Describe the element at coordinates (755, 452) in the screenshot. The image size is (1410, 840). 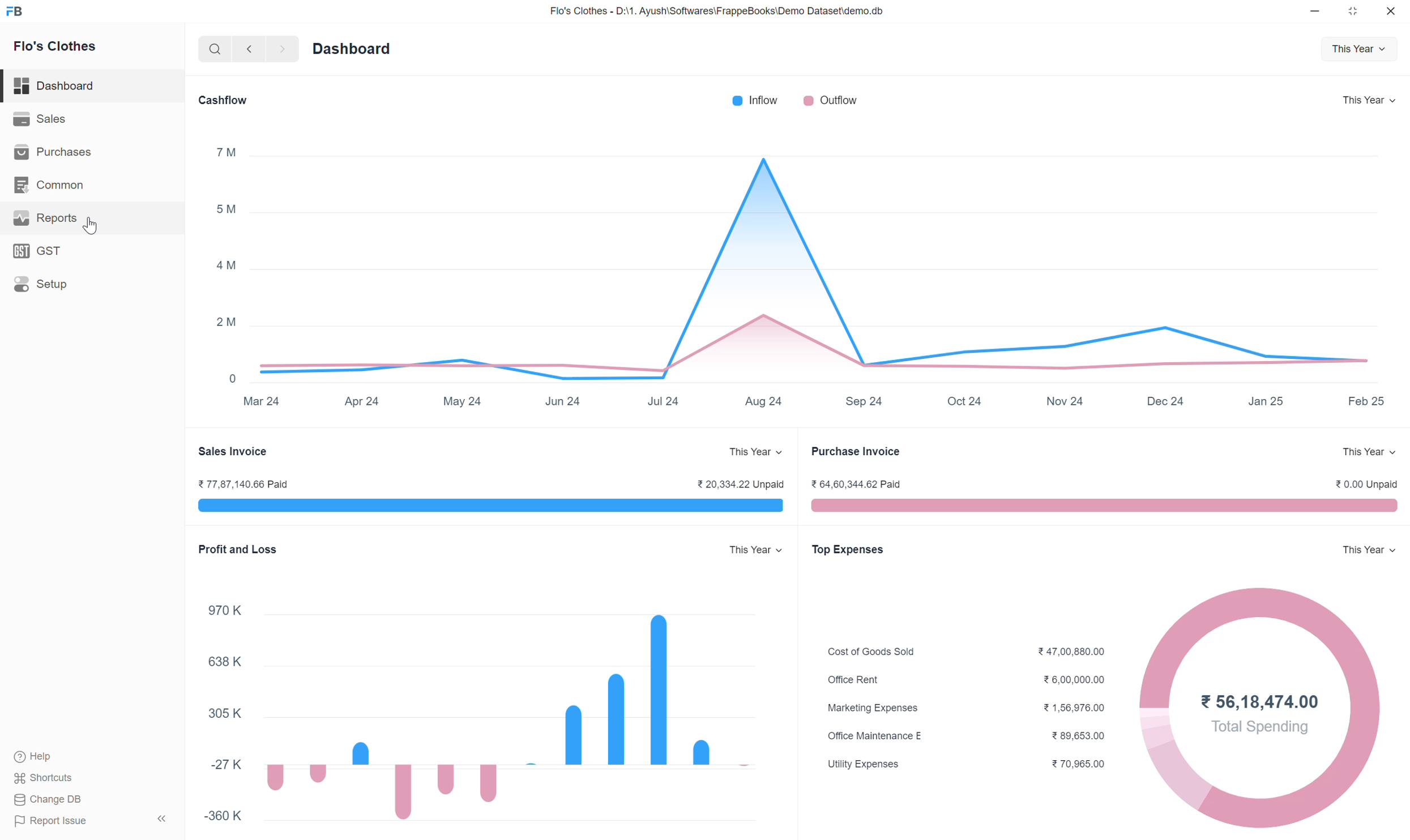
I see `This year` at that location.